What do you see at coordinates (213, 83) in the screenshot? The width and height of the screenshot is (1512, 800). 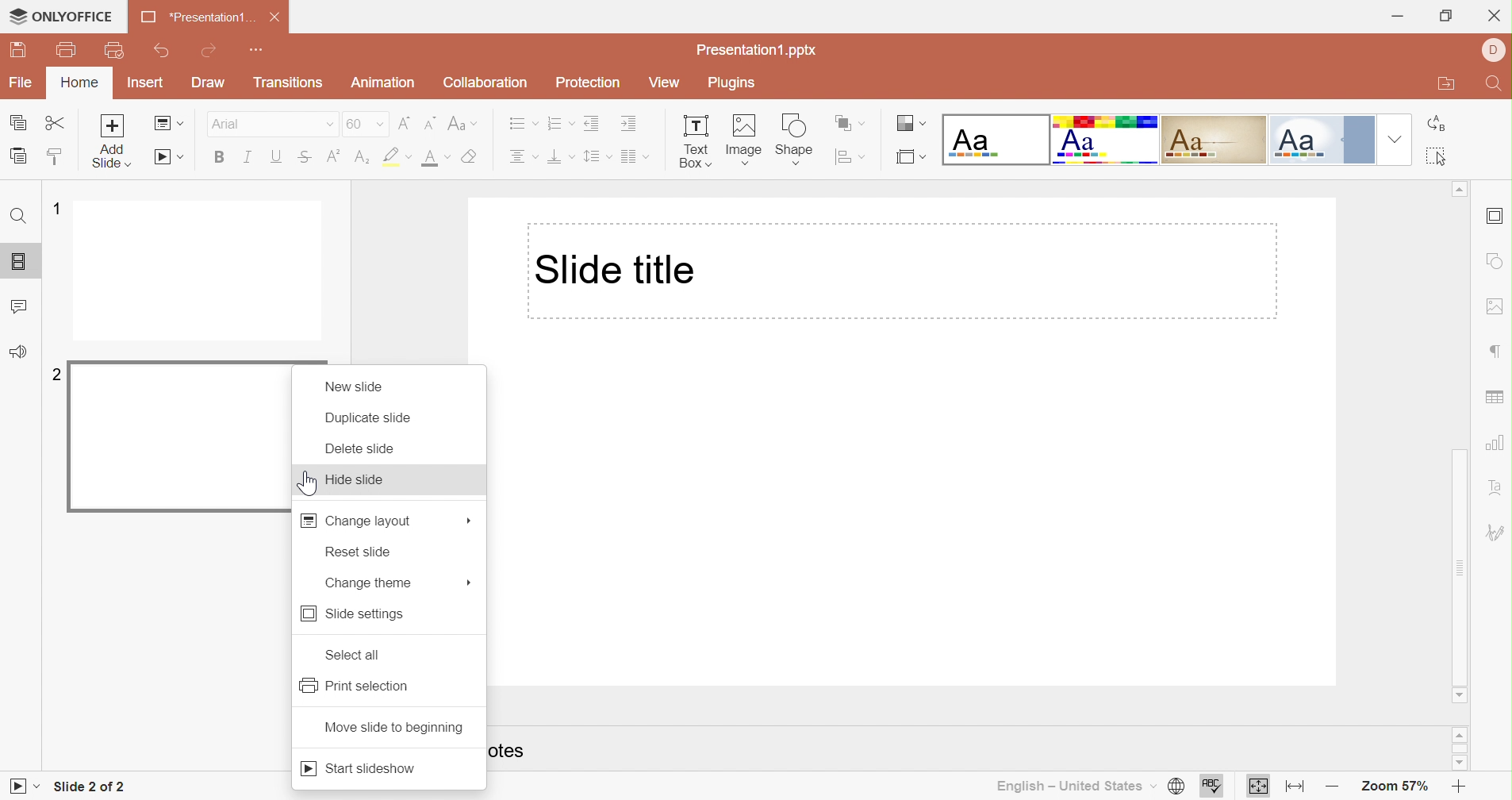 I see `Draw` at bounding box center [213, 83].